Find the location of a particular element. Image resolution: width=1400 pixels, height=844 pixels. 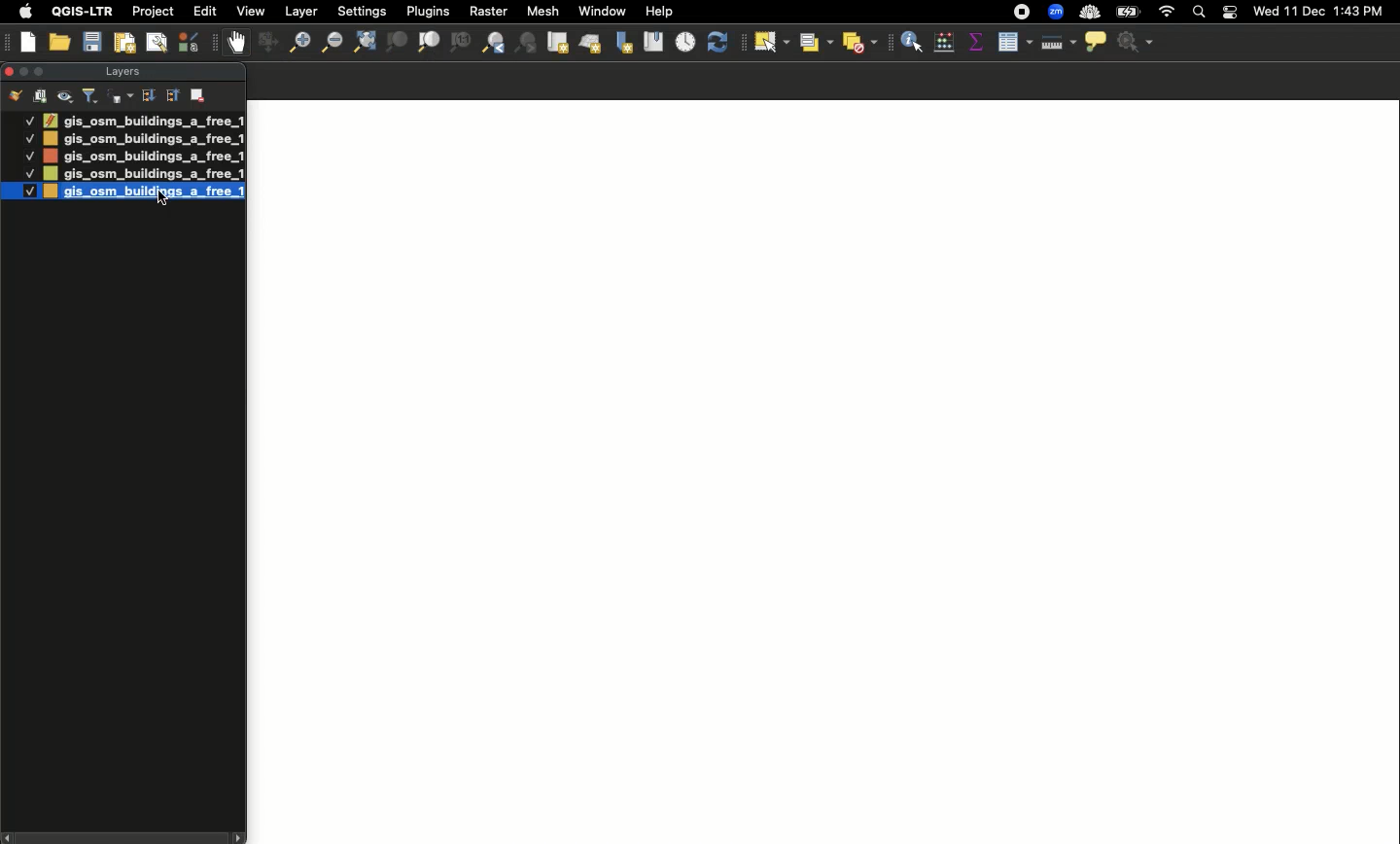

Zoom out  is located at coordinates (330, 42).